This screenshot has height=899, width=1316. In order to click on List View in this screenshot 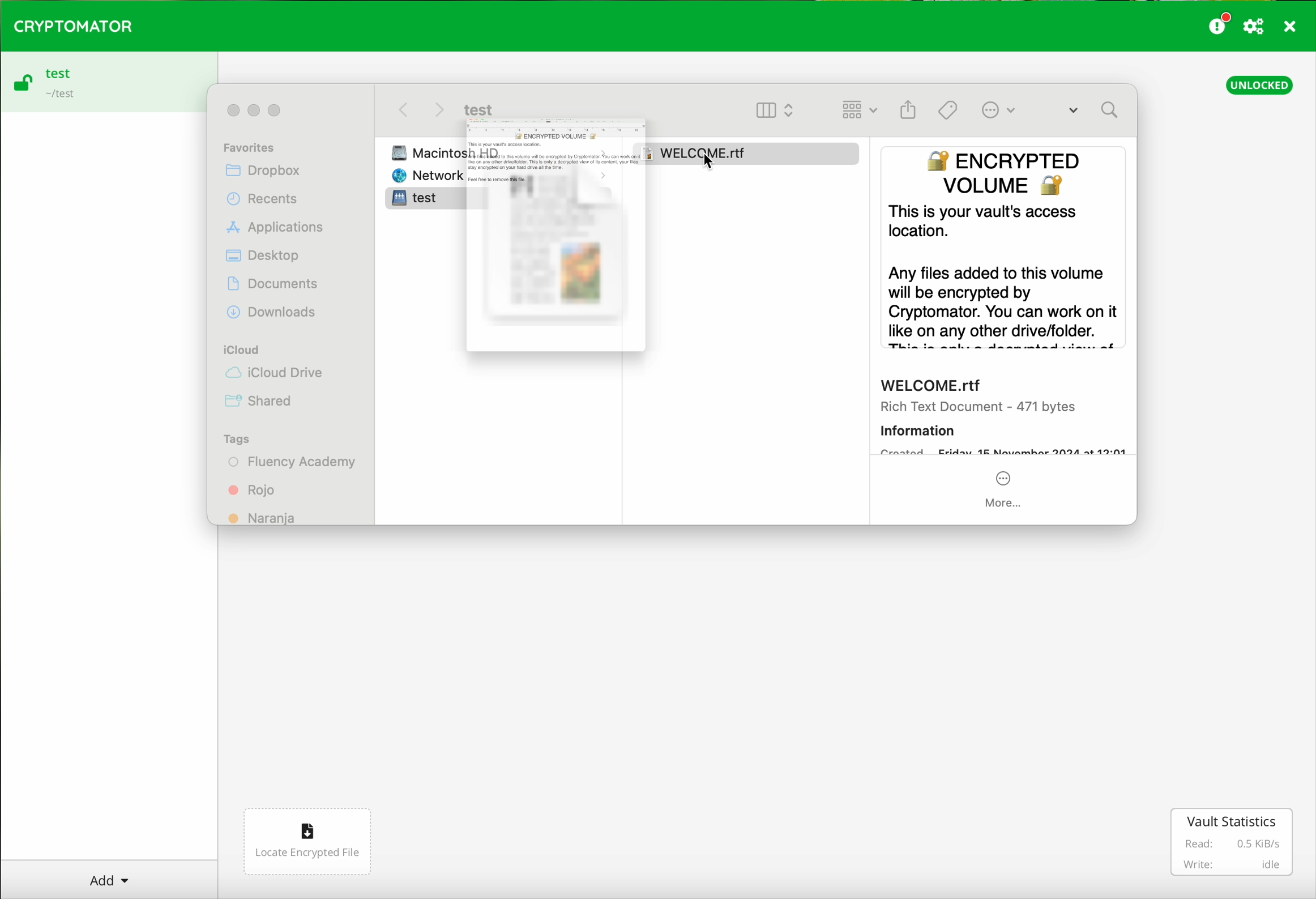, I will do `click(858, 110)`.